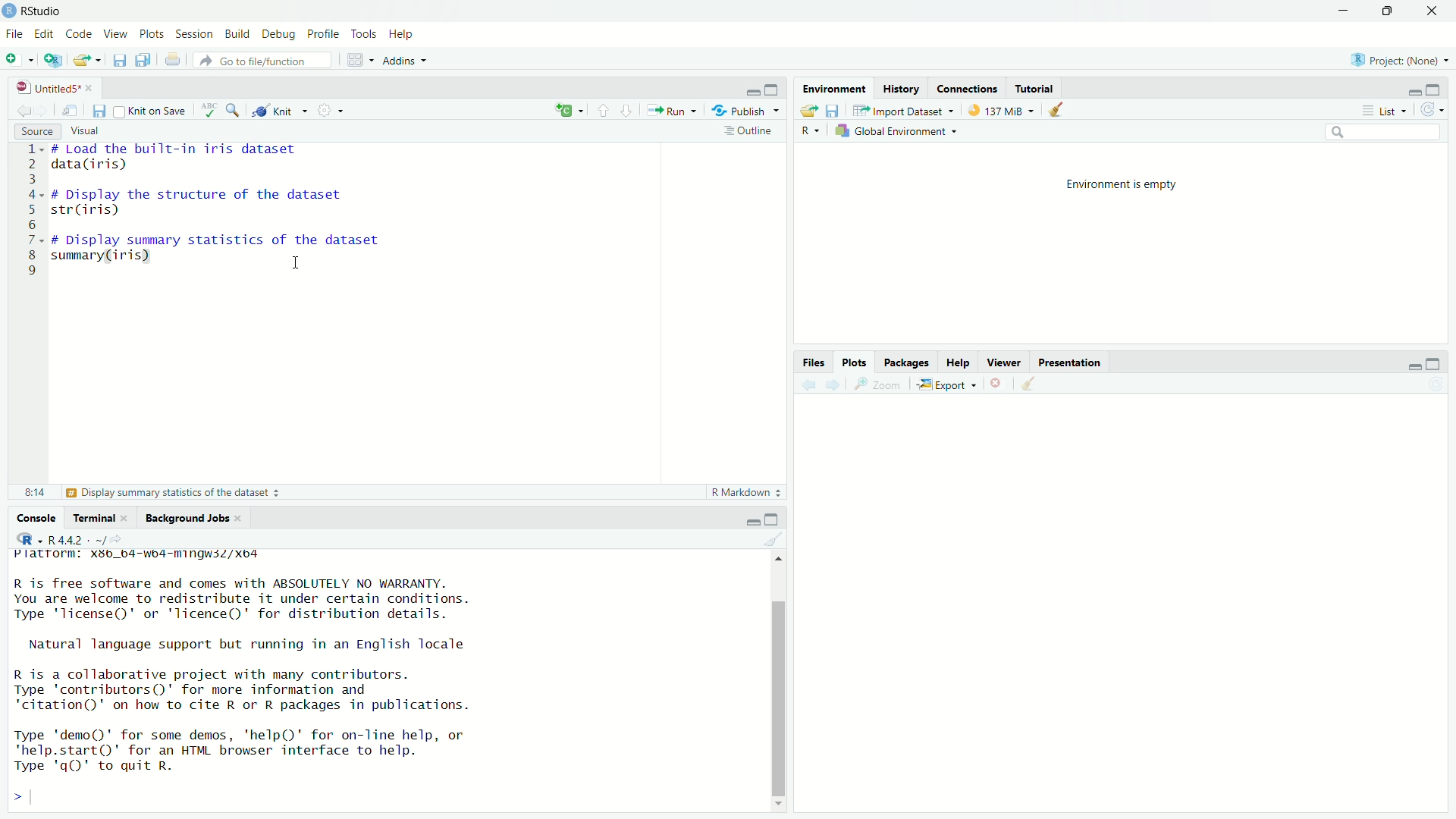 This screenshot has height=819, width=1456. What do you see at coordinates (86, 131) in the screenshot?
I see `Visual` at bounding box center [86, 131].